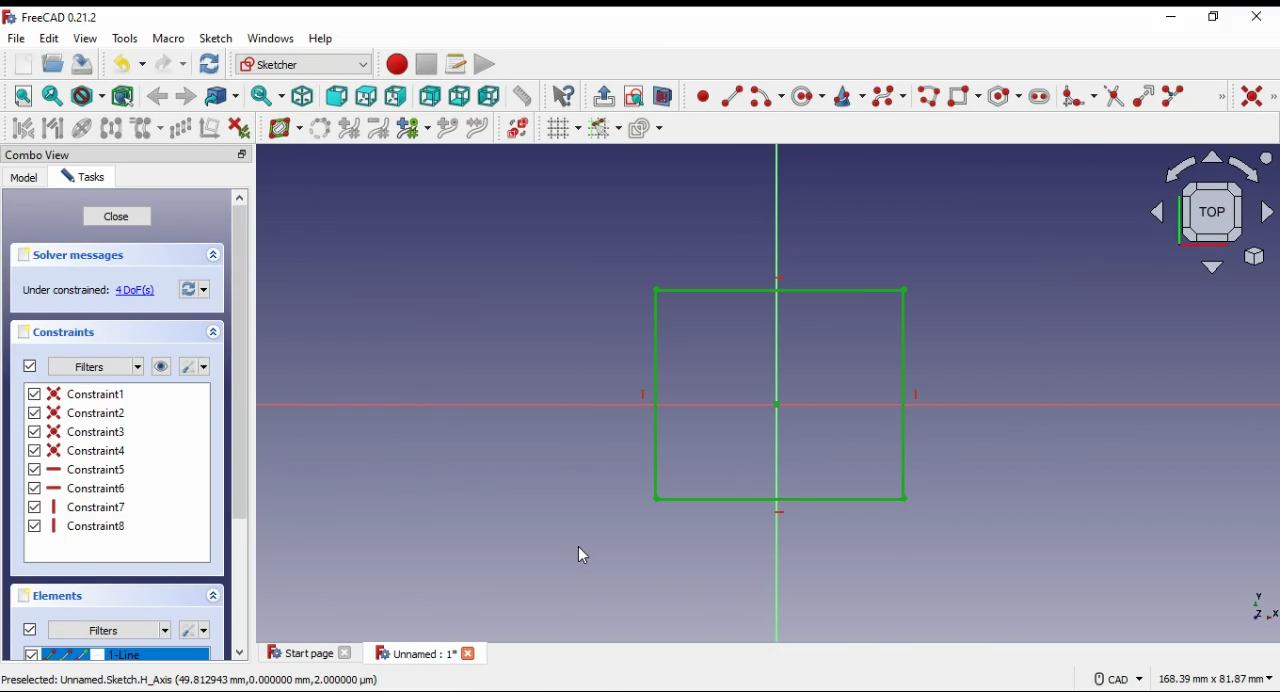 The image size is (1280, 692). I want to click on checkbox, so click(34, 462).